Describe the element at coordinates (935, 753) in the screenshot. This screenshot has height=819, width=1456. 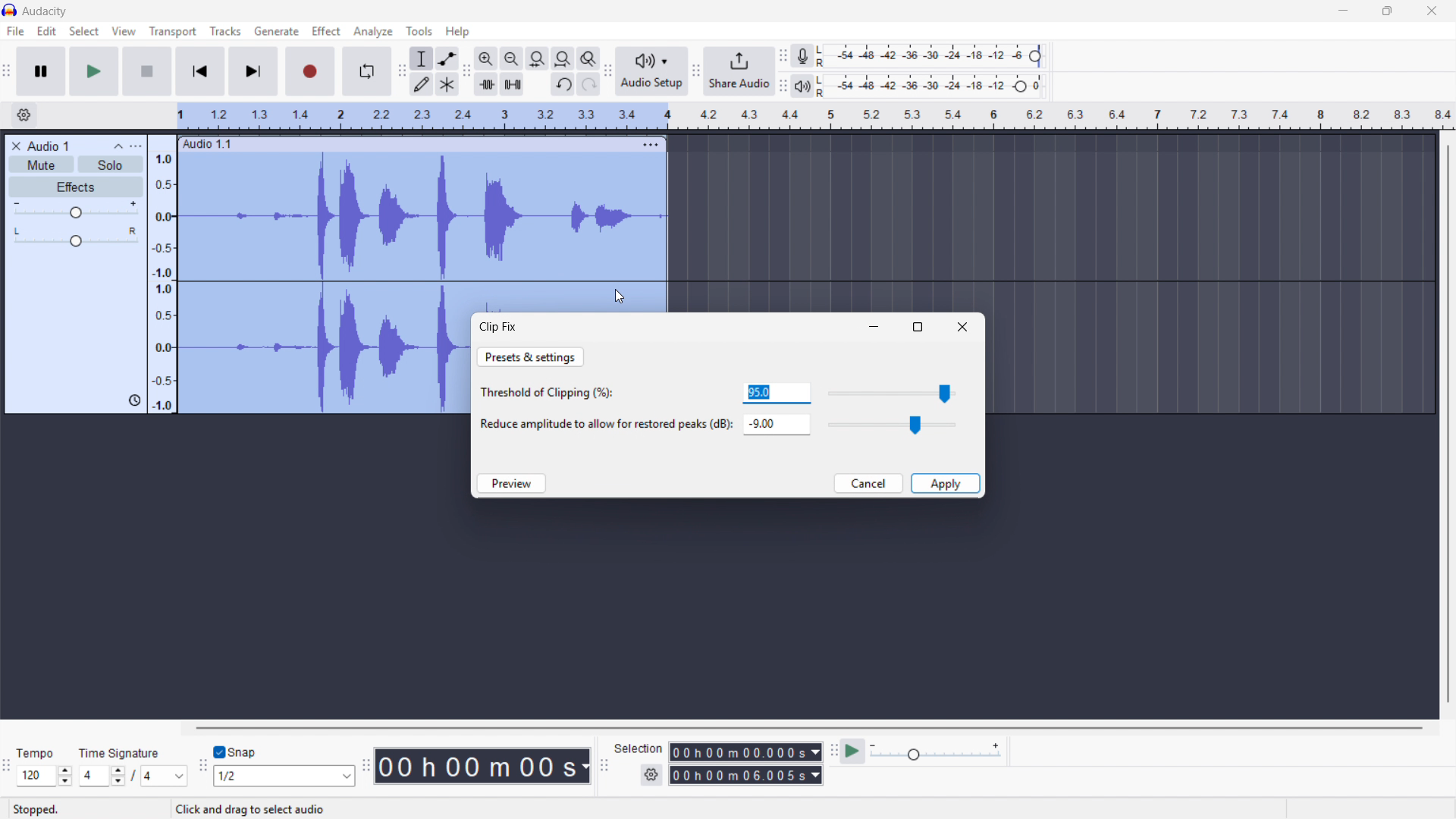
I see `Playback speed` at that location.